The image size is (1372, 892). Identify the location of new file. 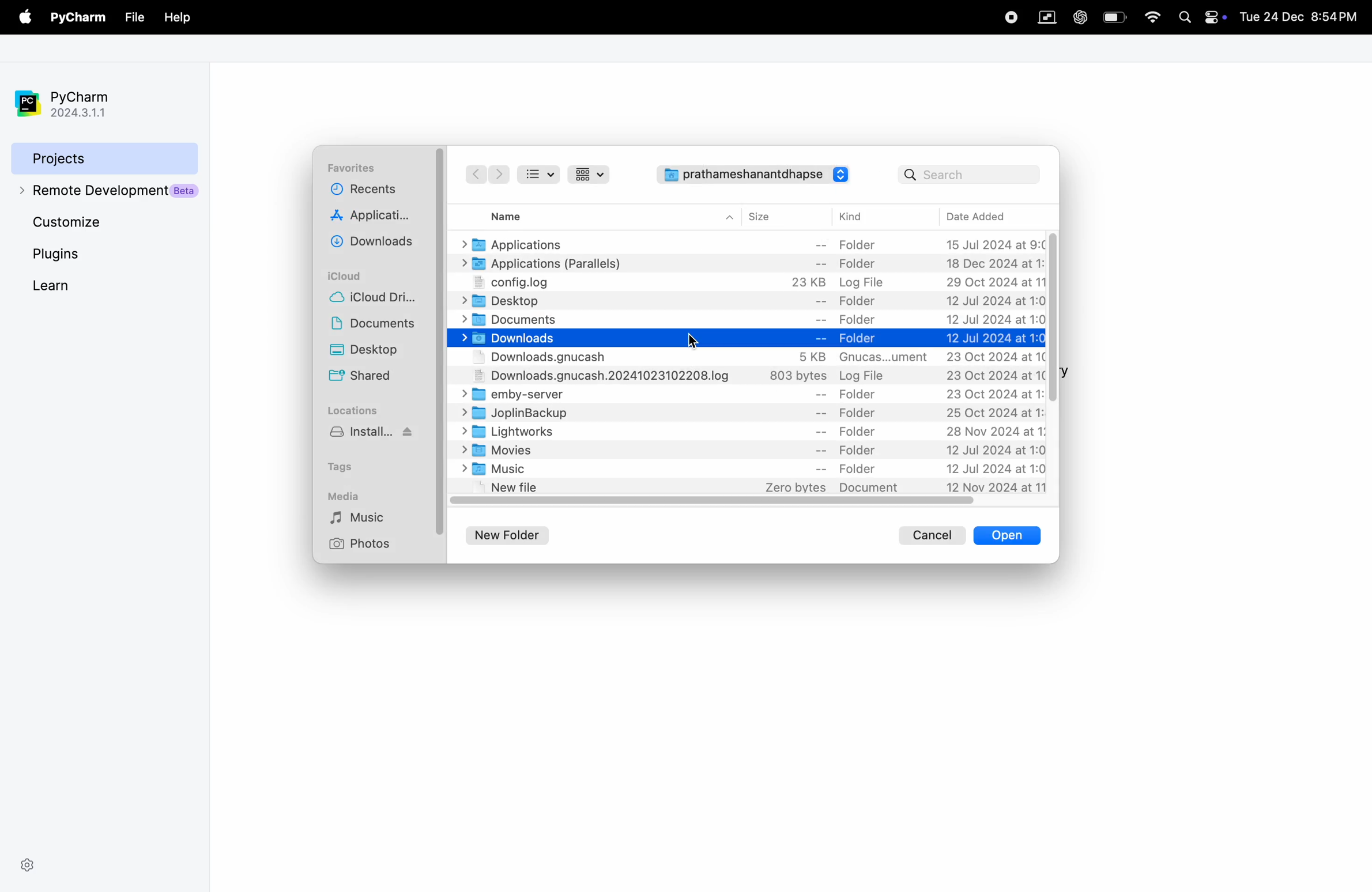
(756, 488).